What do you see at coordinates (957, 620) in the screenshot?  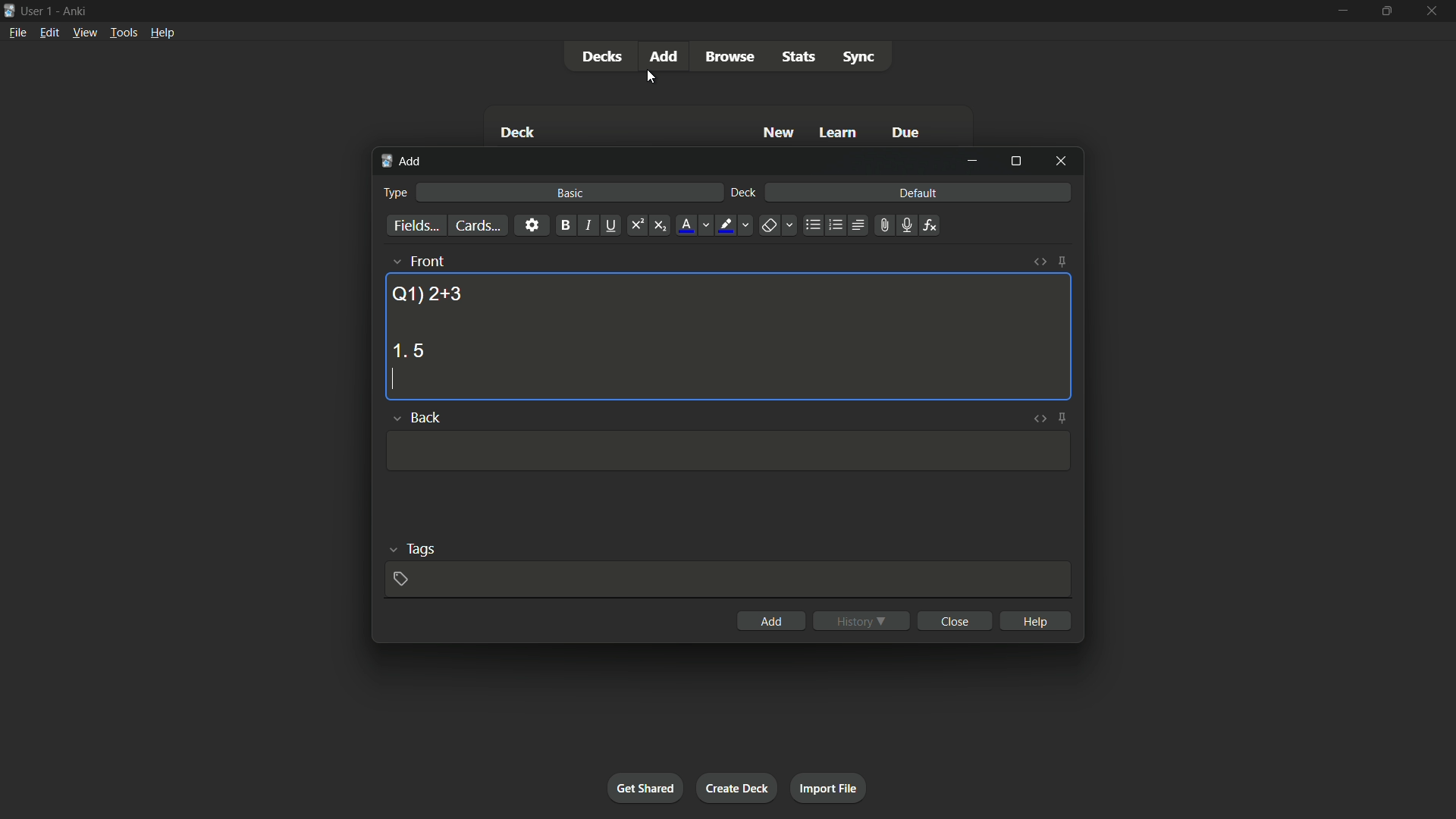 I see `close` at bounding box center [957, 620].